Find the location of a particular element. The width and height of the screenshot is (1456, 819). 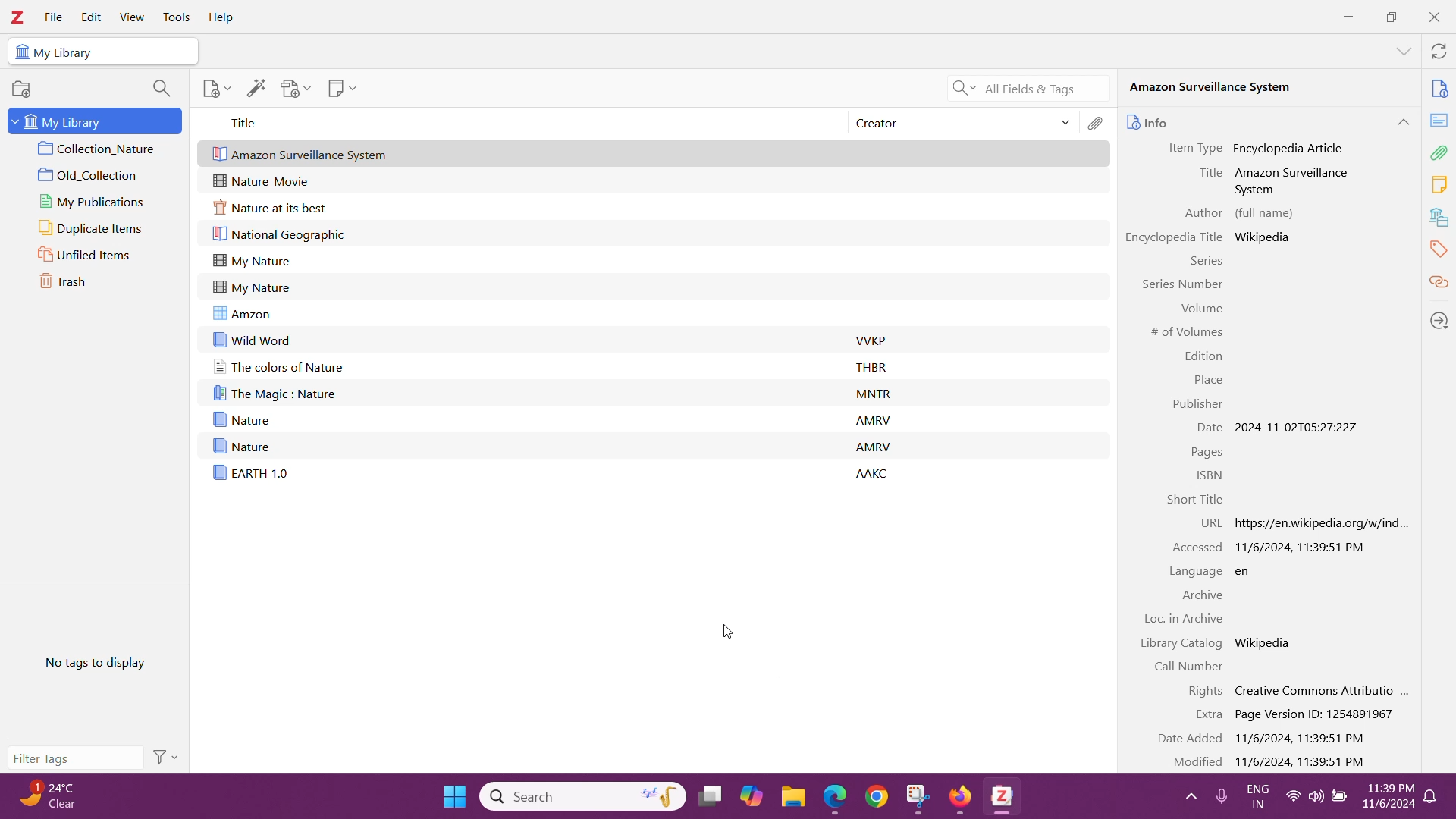

volume is located at coordinates (1314, 797).